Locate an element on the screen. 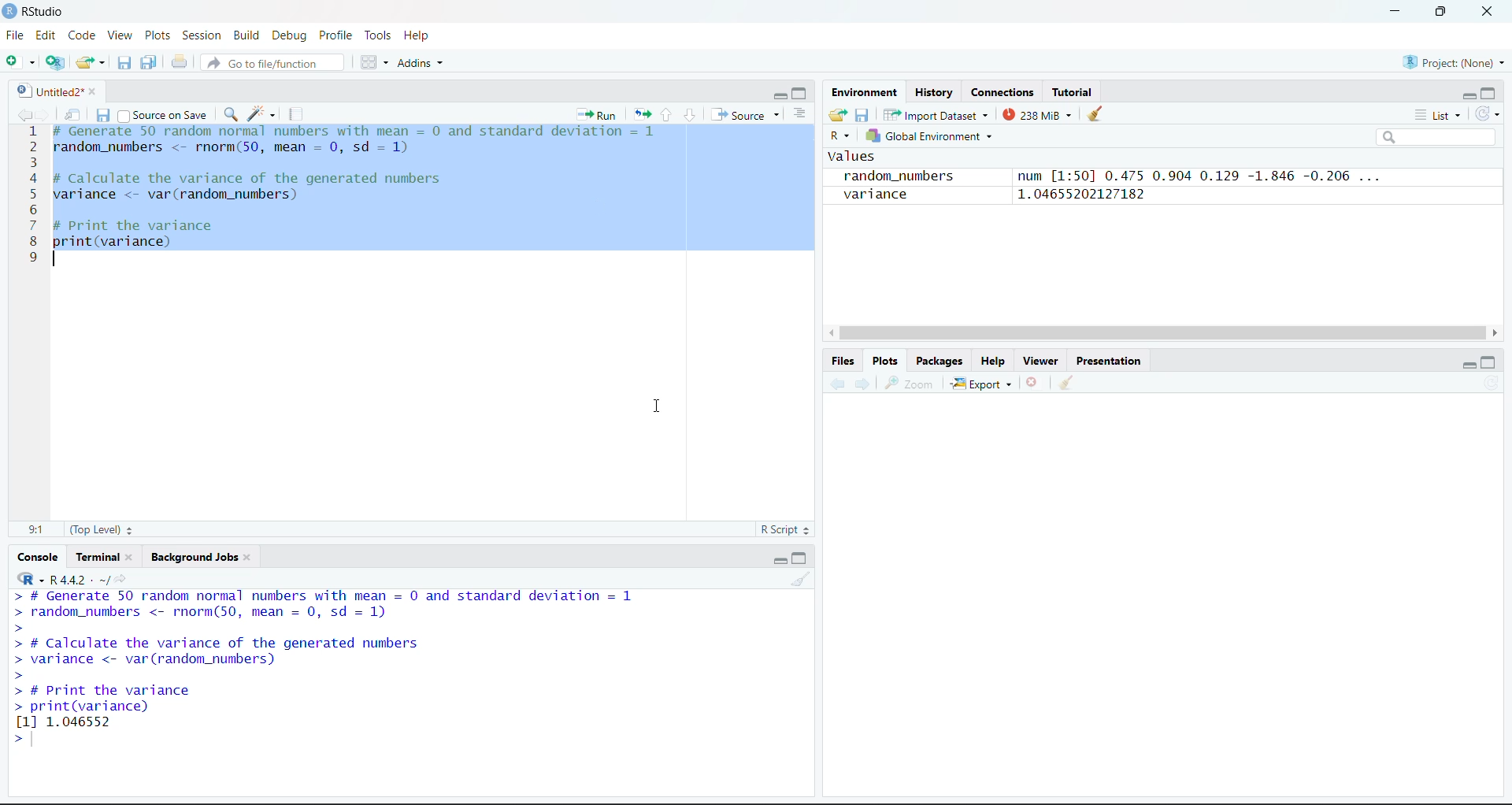 The height and width of the screenshot is (805, 1512). Packages is located at coordinates (940, 361).